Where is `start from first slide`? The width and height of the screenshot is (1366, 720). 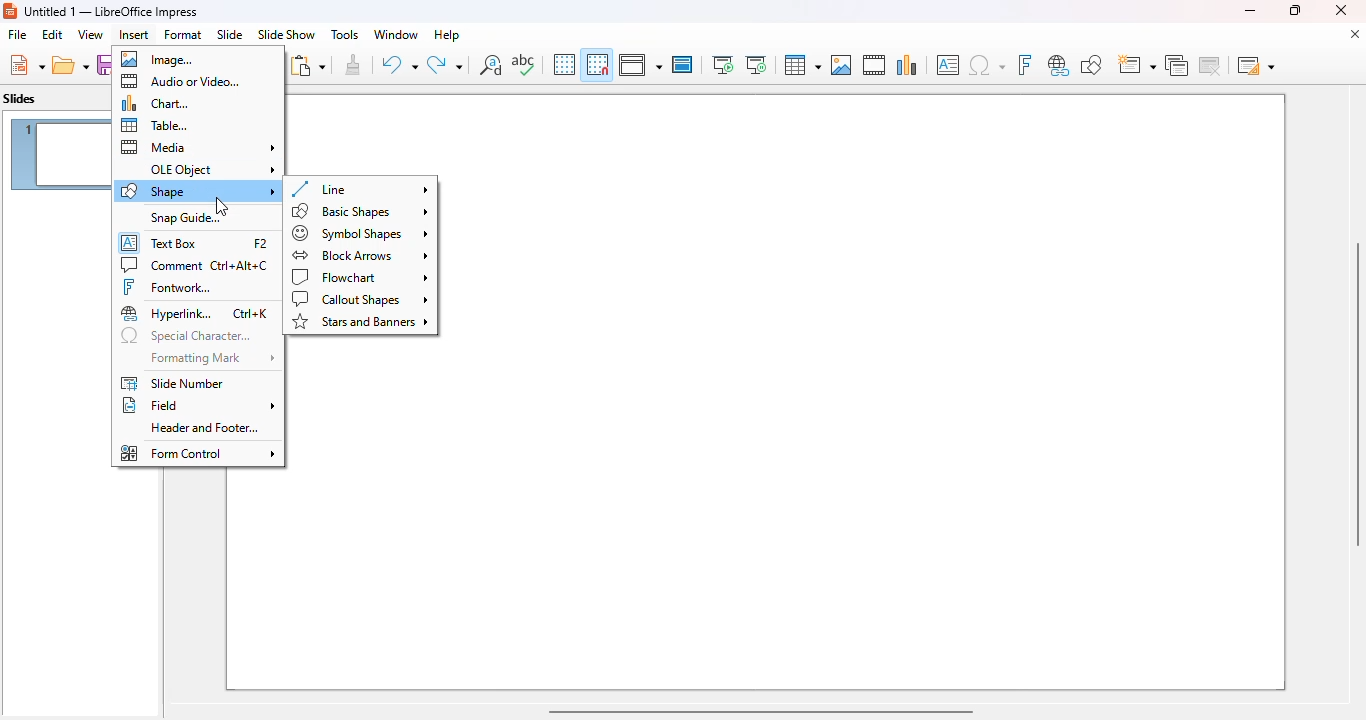
start from first slide is located at coordinates (722, 65).